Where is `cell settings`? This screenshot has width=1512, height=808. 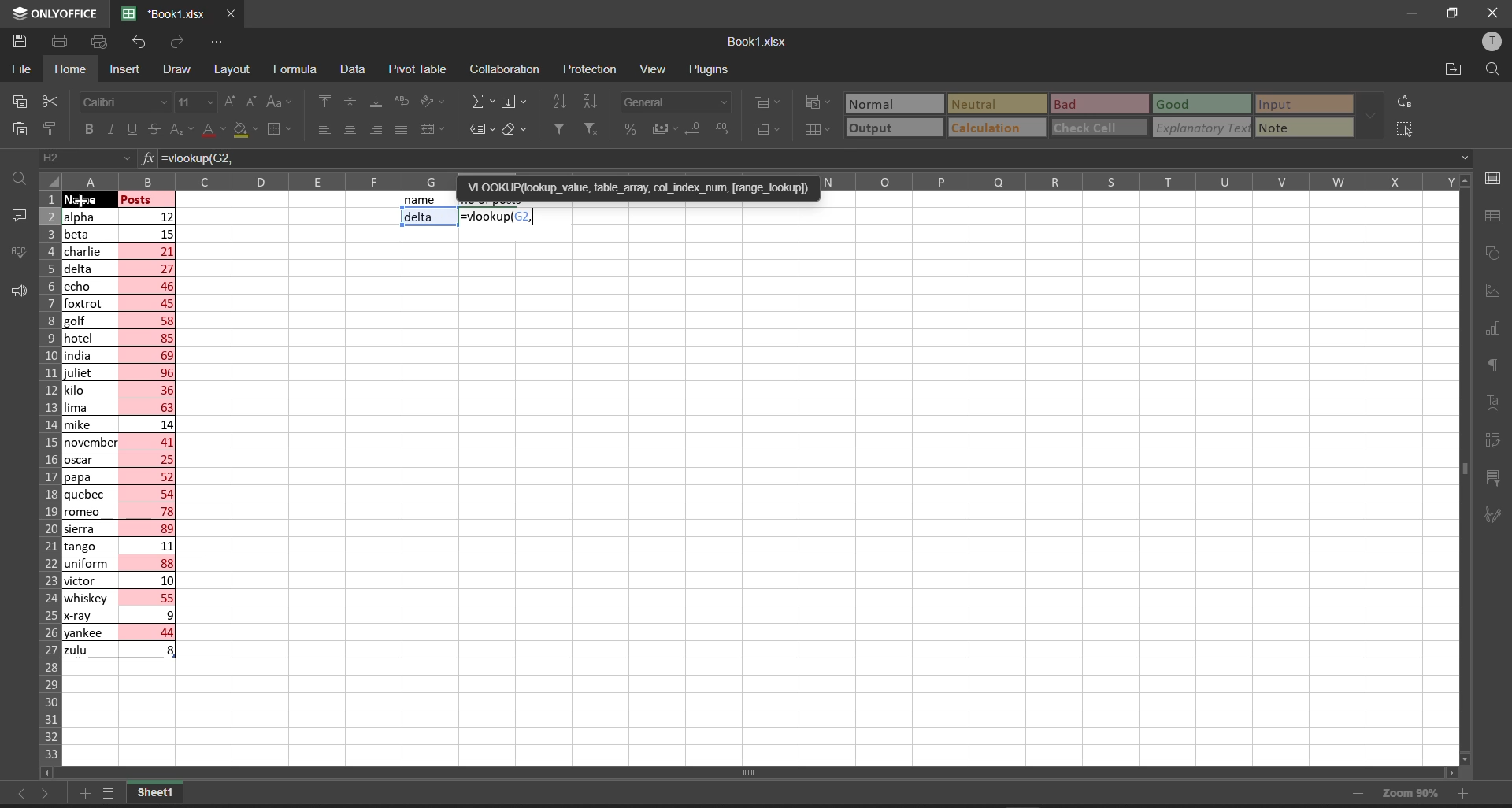 cell settings is located at coordinates (1494, 176).